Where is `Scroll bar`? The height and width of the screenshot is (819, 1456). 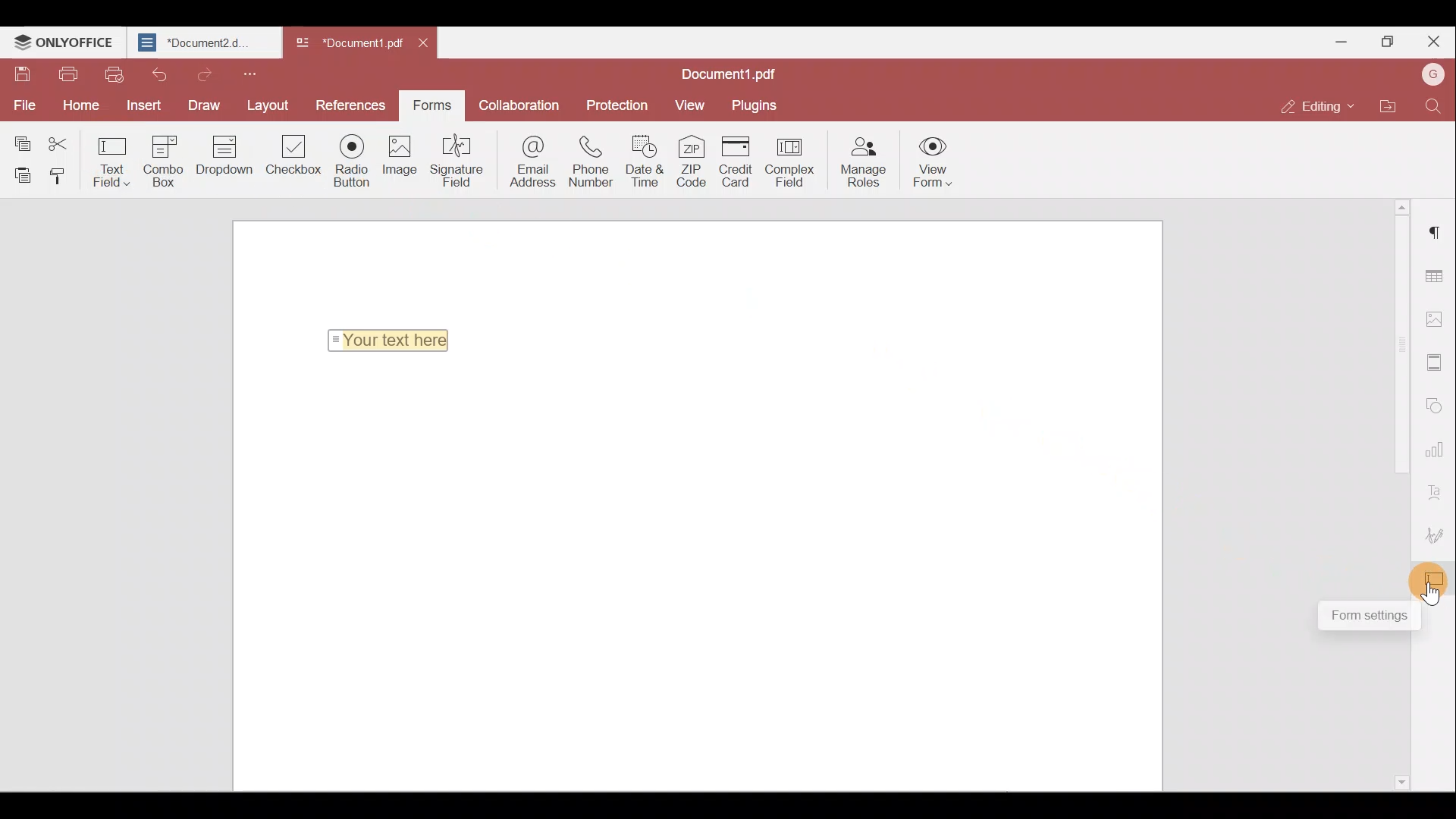
Scroll bar is located at coordinates (1392, 393).